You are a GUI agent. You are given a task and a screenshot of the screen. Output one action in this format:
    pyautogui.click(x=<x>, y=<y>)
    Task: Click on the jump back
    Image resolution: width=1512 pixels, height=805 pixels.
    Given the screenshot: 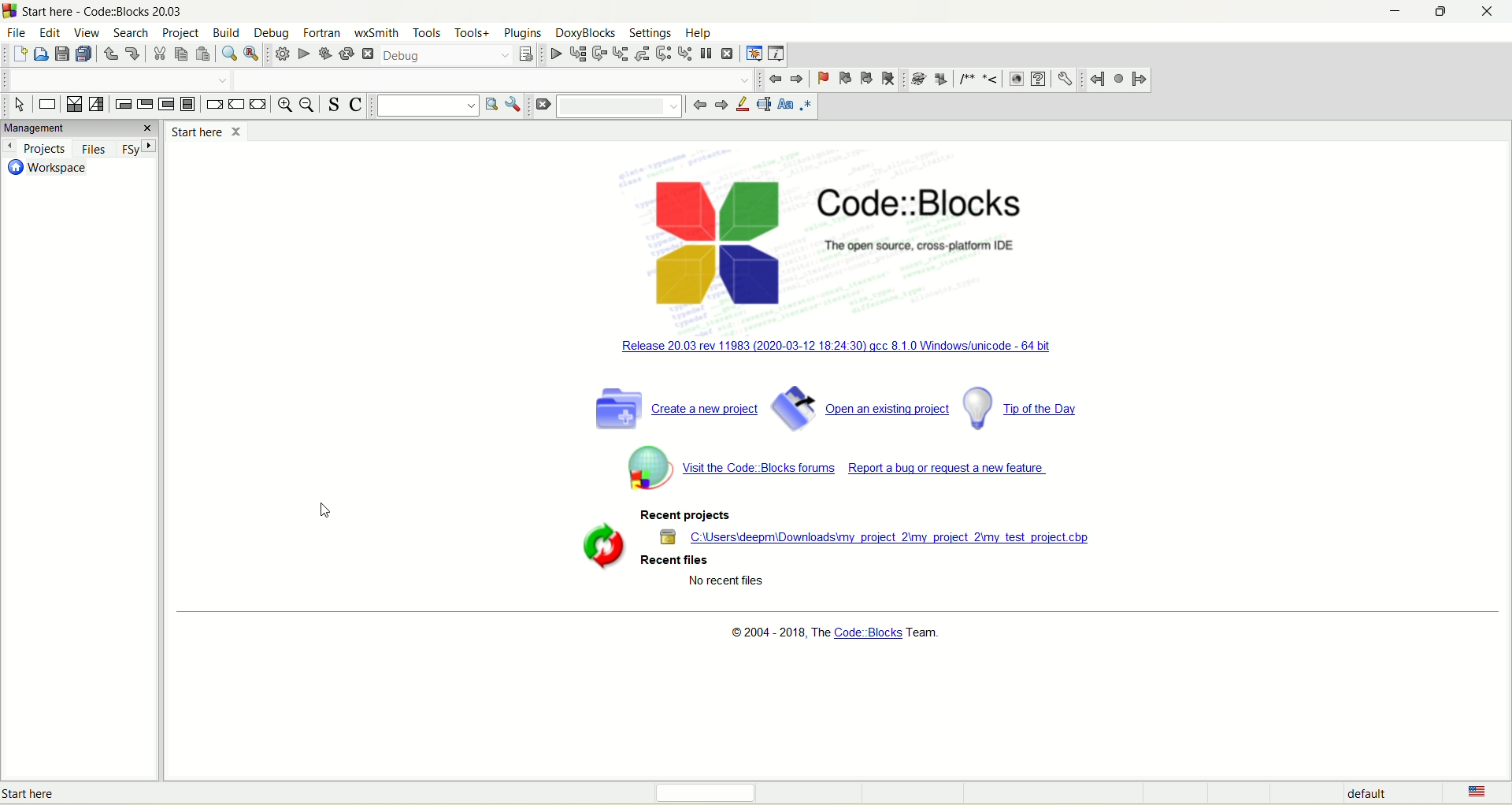 What is the action you would take?
    pyautogui.click(x=1098, y=78)
    